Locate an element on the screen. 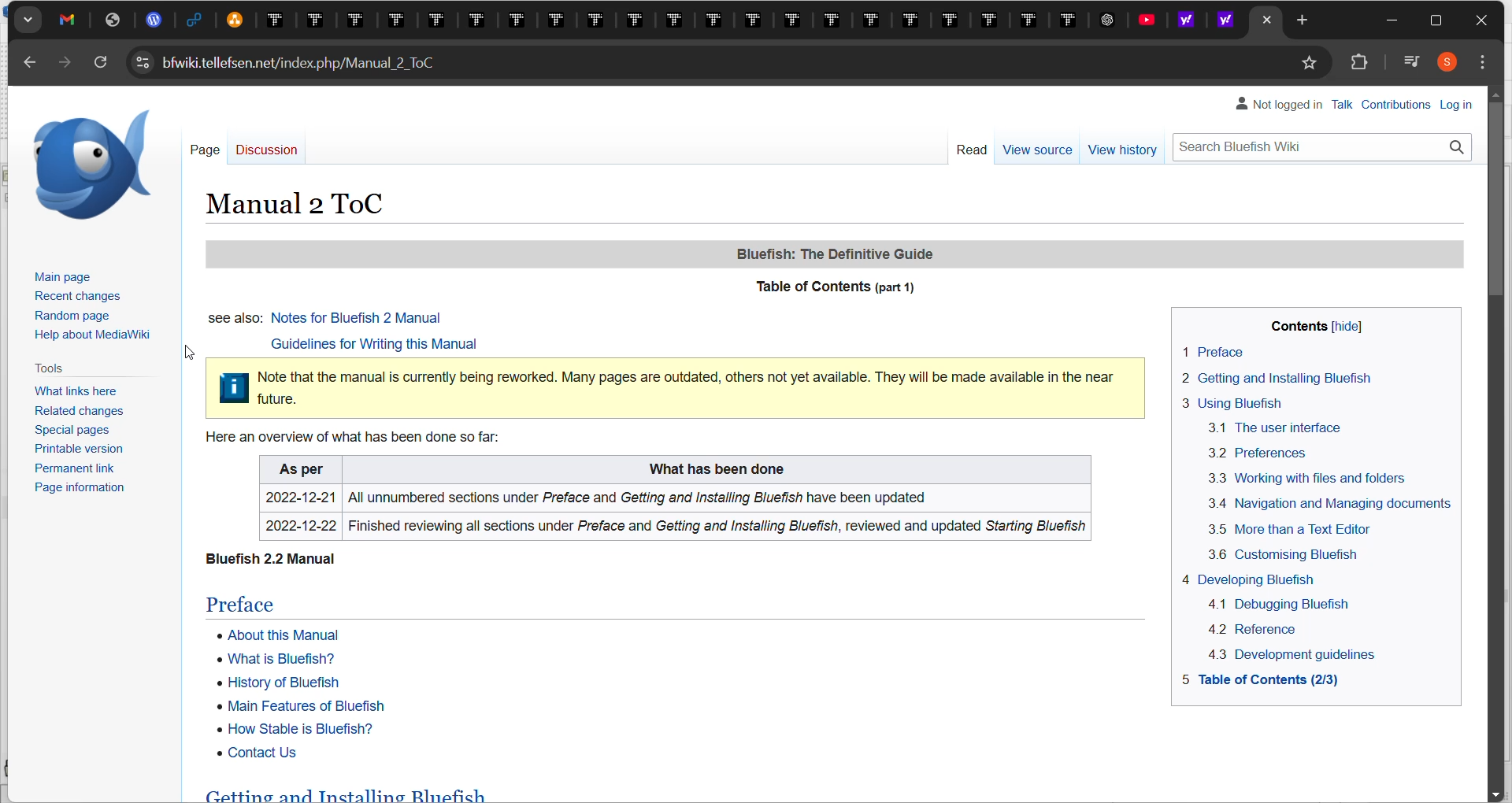 This screenshot has height=803, width=1512. random page is located at coordinates (79, 314).